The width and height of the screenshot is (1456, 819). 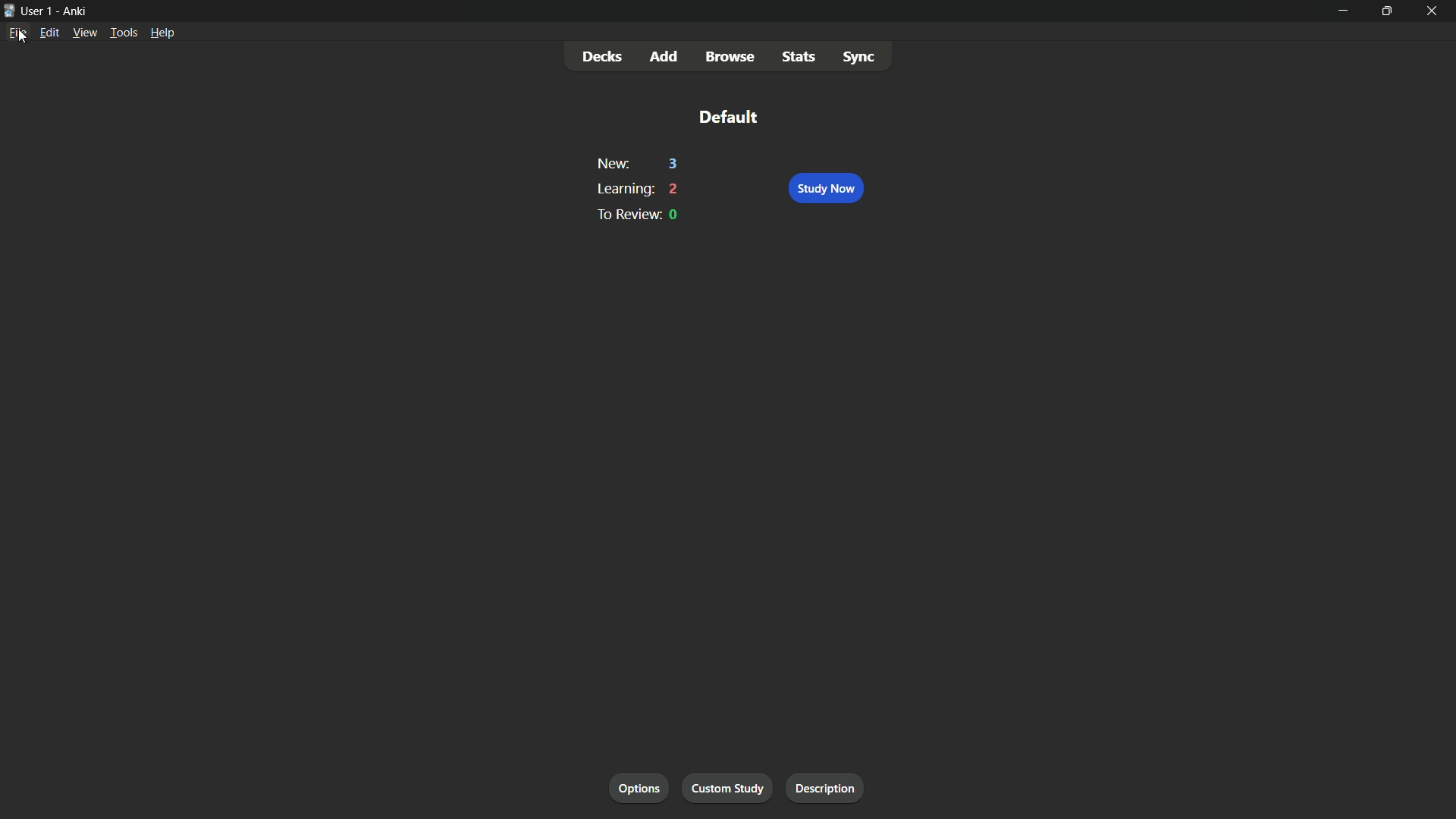 What do you see at coordinates (122, 33) in the screenshot?
I see `tools menu` at bounding box center [122, 33].